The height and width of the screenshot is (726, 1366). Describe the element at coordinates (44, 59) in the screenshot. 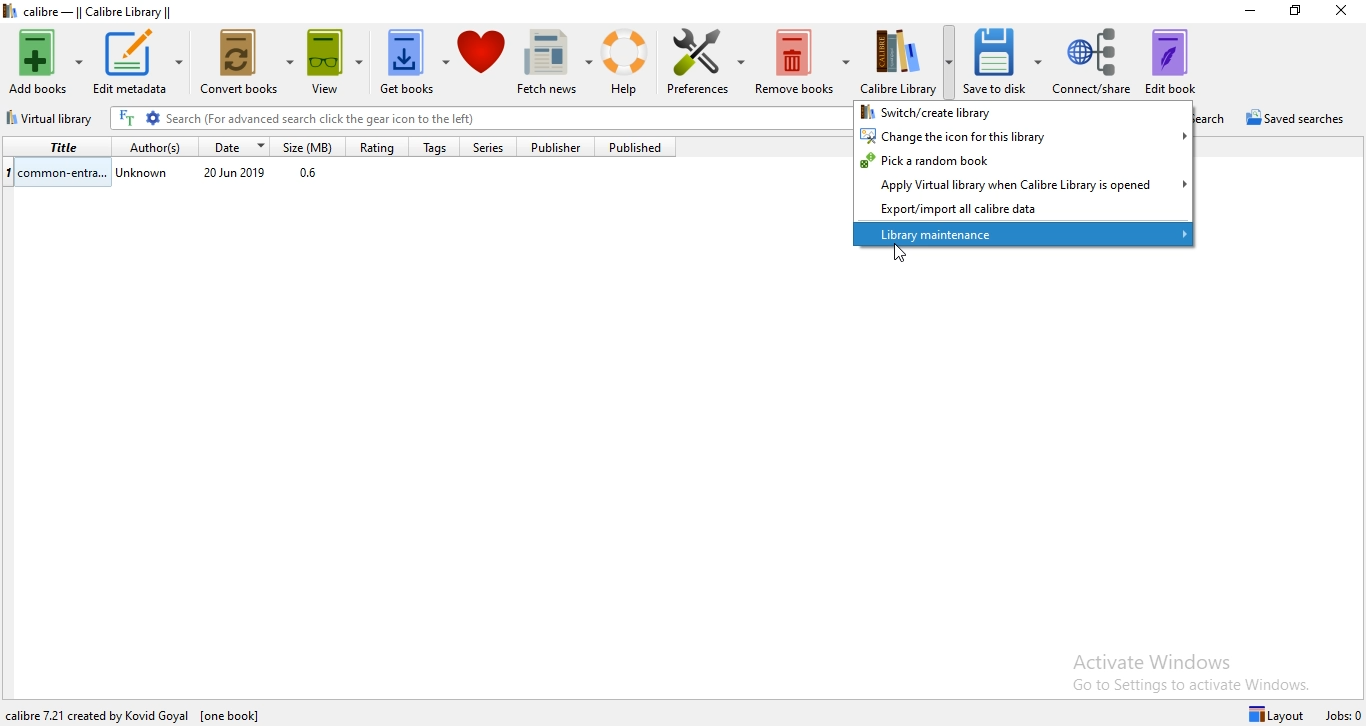

I see `Add books` at that location.